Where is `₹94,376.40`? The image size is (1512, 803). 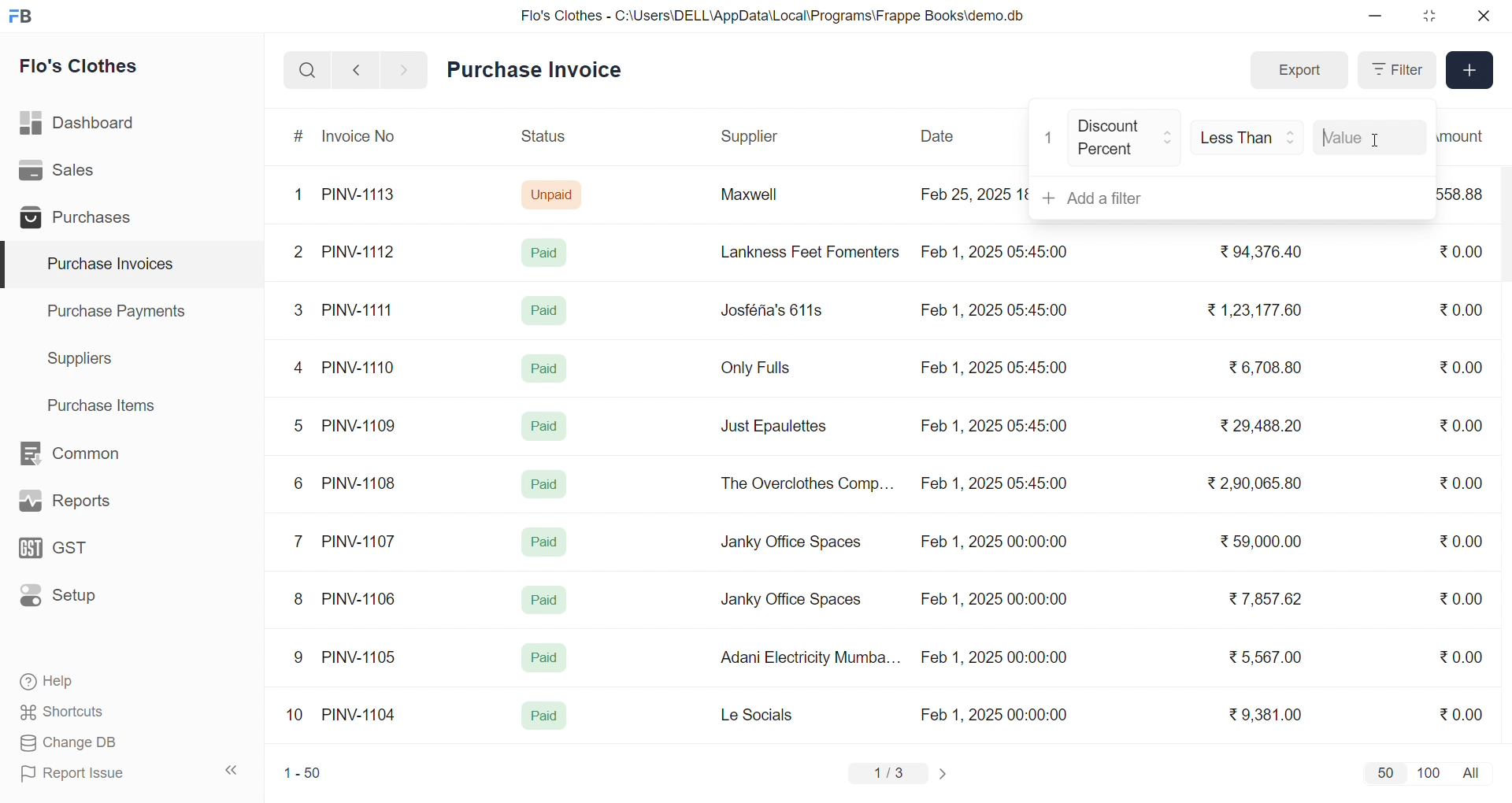
₹94,376.40 is located at coordinates (1257, 253).